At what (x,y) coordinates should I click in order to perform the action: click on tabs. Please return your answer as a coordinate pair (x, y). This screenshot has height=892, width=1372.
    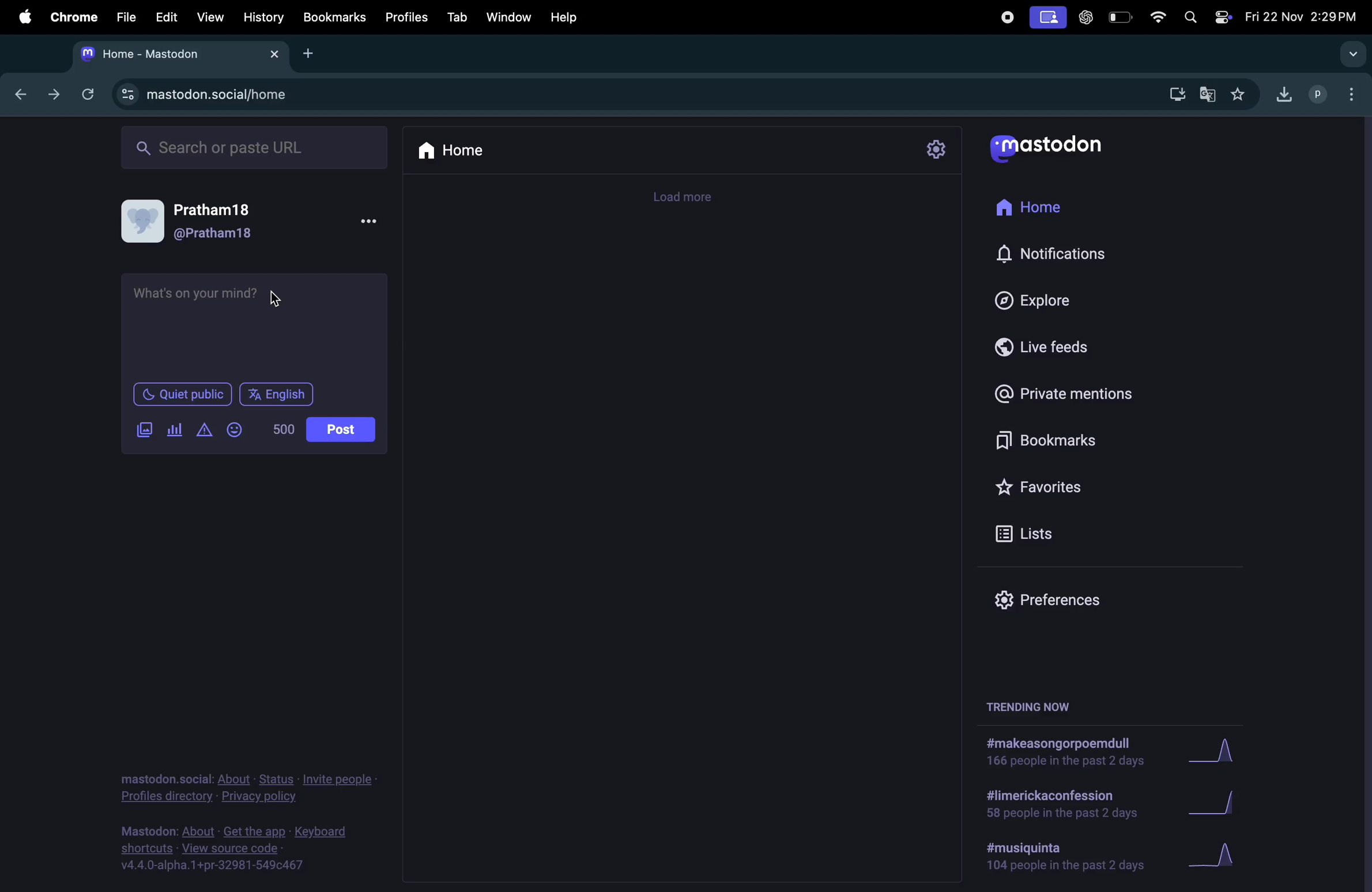
    Looking at the image, I should click on (164, 54).